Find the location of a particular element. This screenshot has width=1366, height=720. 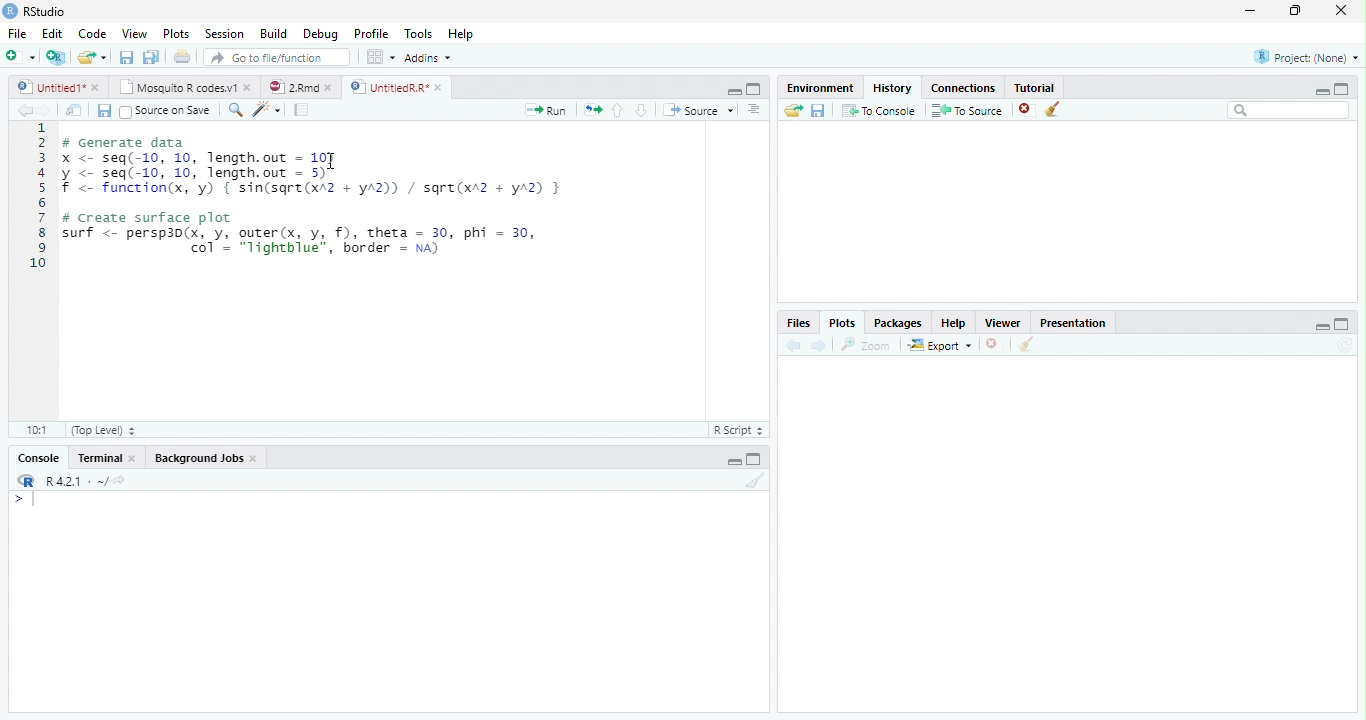

View the current working directory is located at coordinates (120, 478).